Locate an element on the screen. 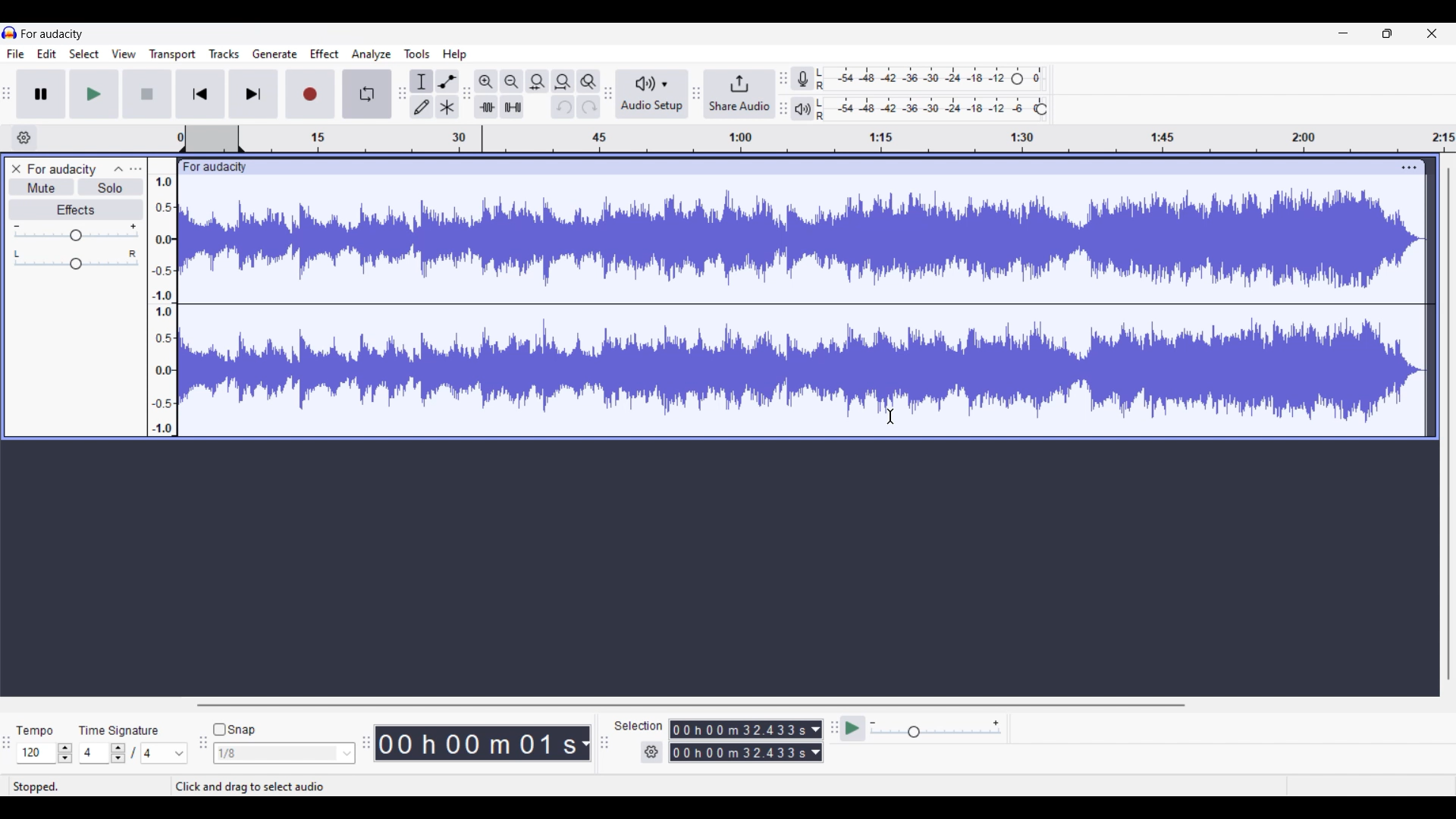 Image resolution: width=1456 pixels, height=819 pixels. Header to change recording level is located at coordinates (1017, 79).